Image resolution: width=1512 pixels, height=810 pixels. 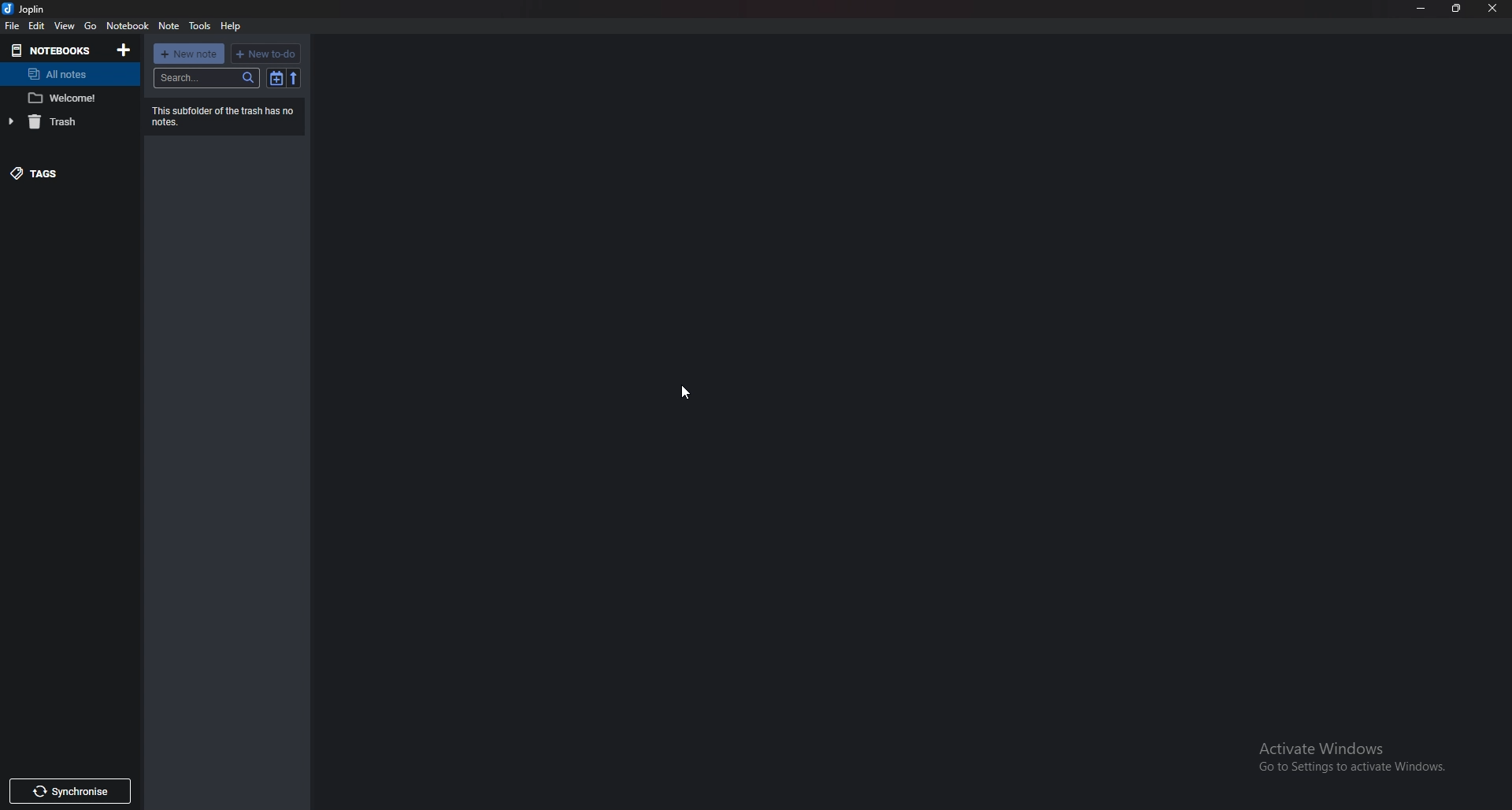 What do you see at coordinates (1457, 9) in the screenshot?
I see `Resize` at bounding box center [1457, 9].